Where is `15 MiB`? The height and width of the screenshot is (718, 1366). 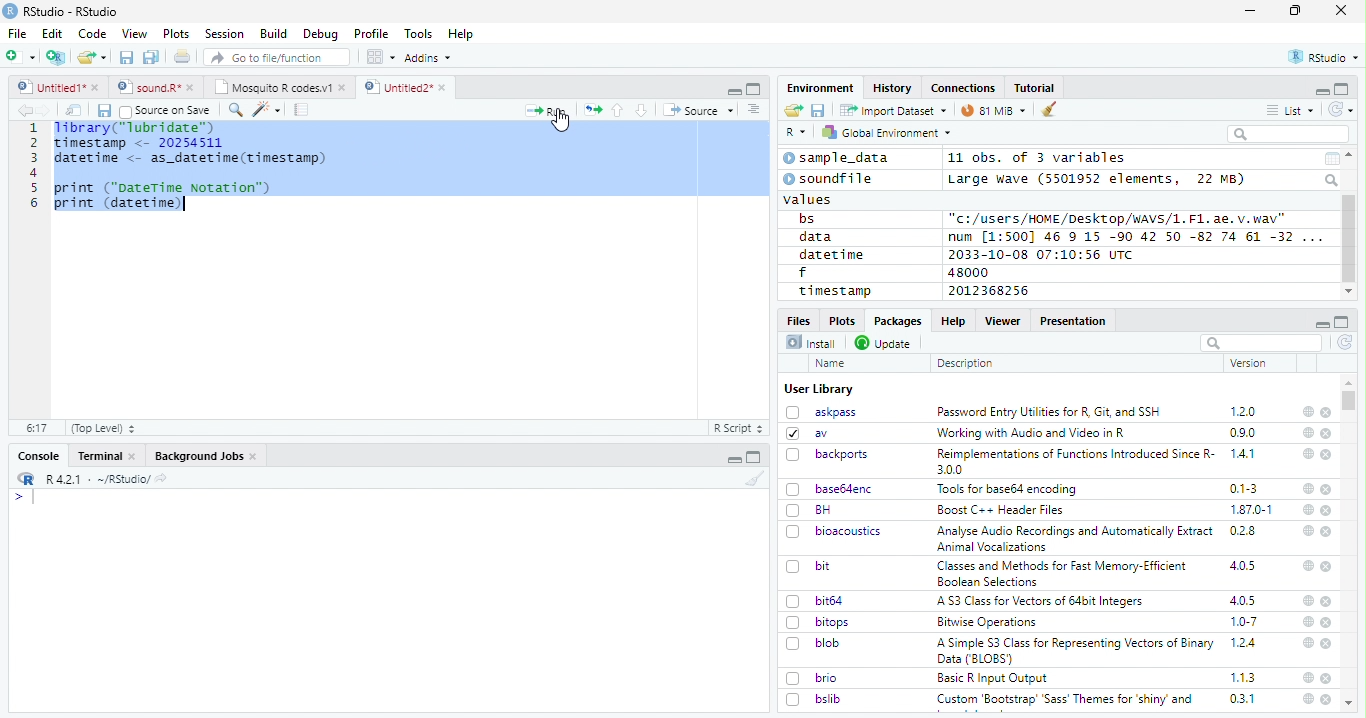 15 MiB is located at coordinates (994, 110).